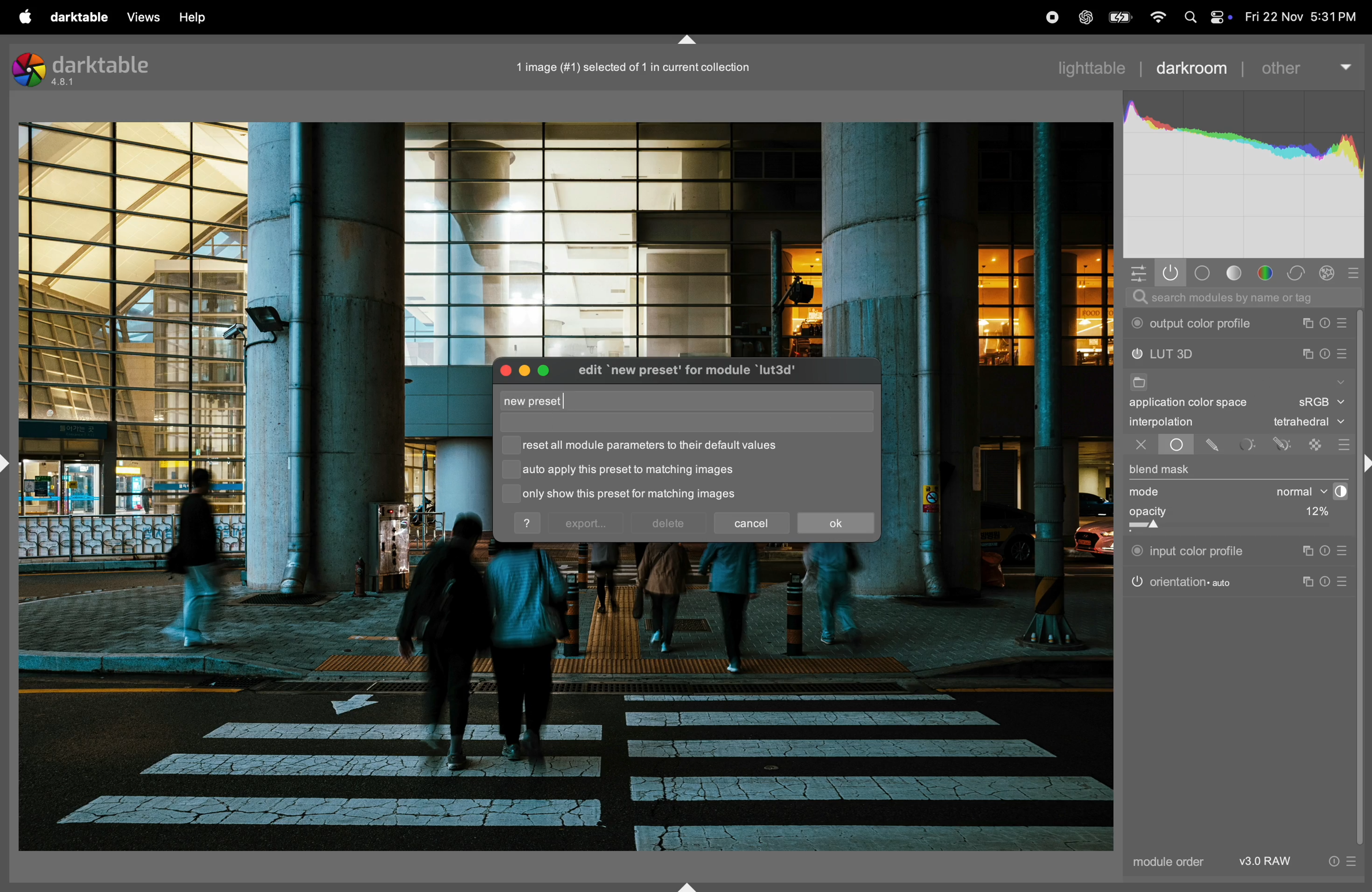 Image resolution: width=1372 pixels, height=892 pixels. I want to click on opacity, so click(1203, 516).